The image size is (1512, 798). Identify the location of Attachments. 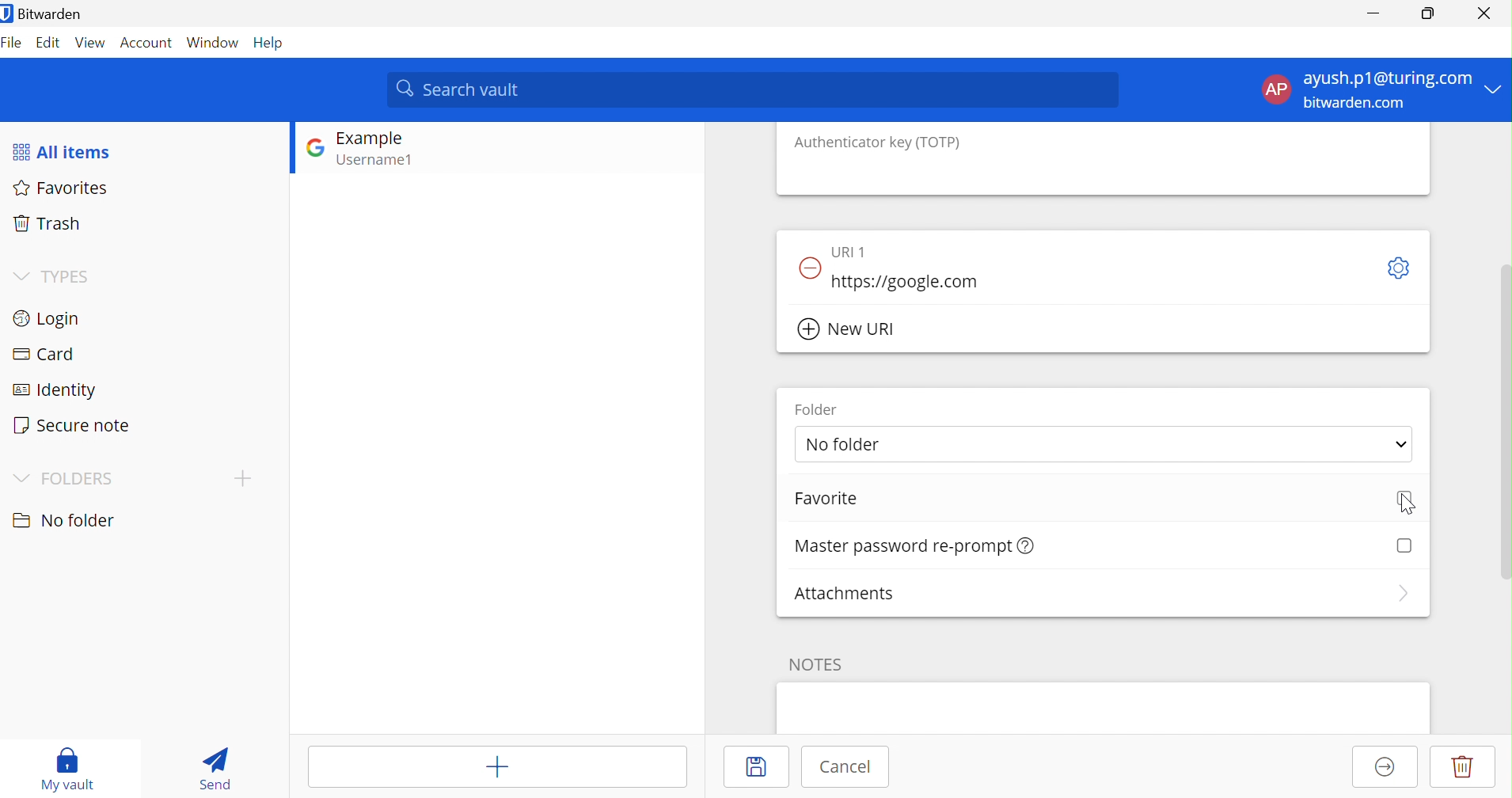
(845, 593).